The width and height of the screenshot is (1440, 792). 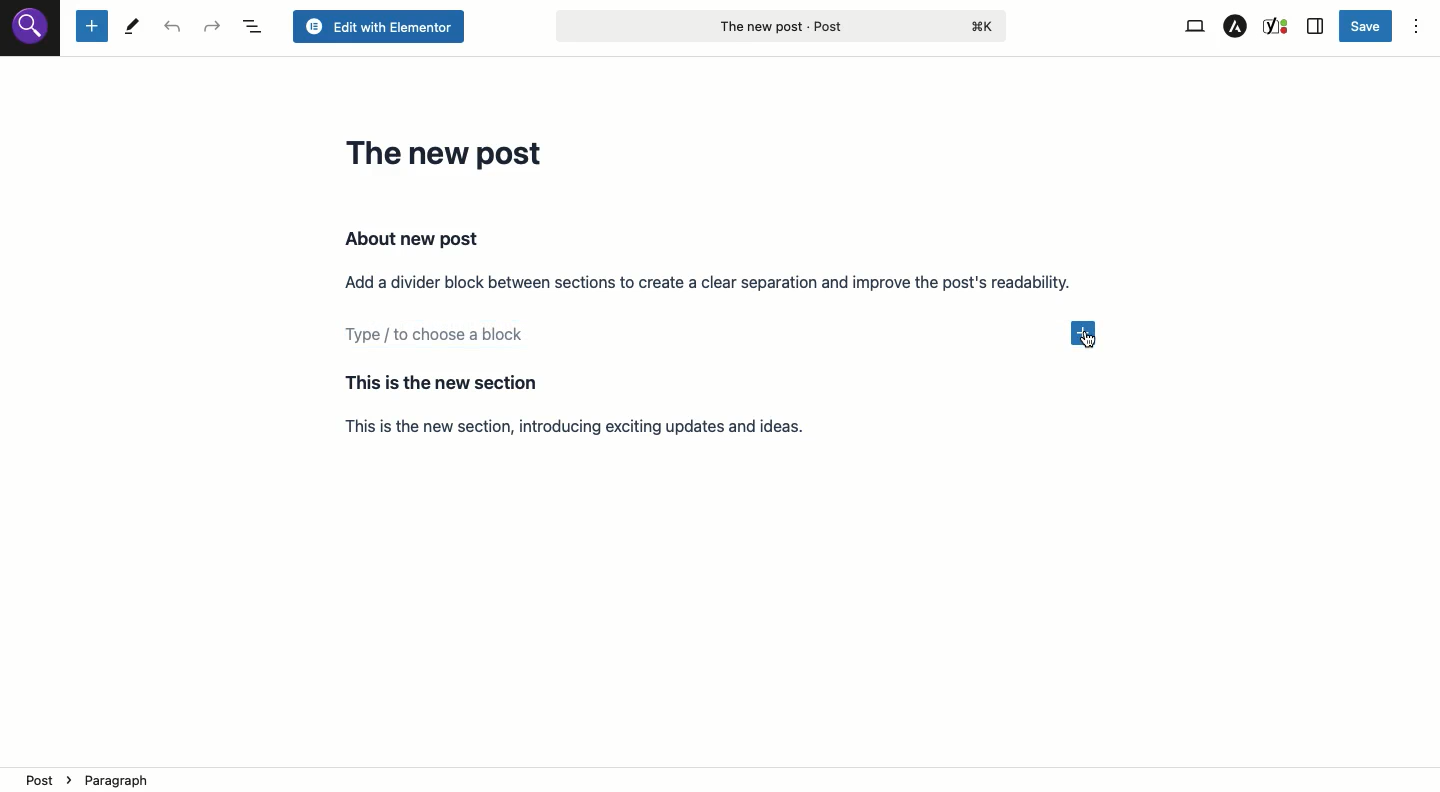 What do you see at coordinates (1316, 27) in the screenshot?
I see `Sidebar` at bounding box center [1316, 27].